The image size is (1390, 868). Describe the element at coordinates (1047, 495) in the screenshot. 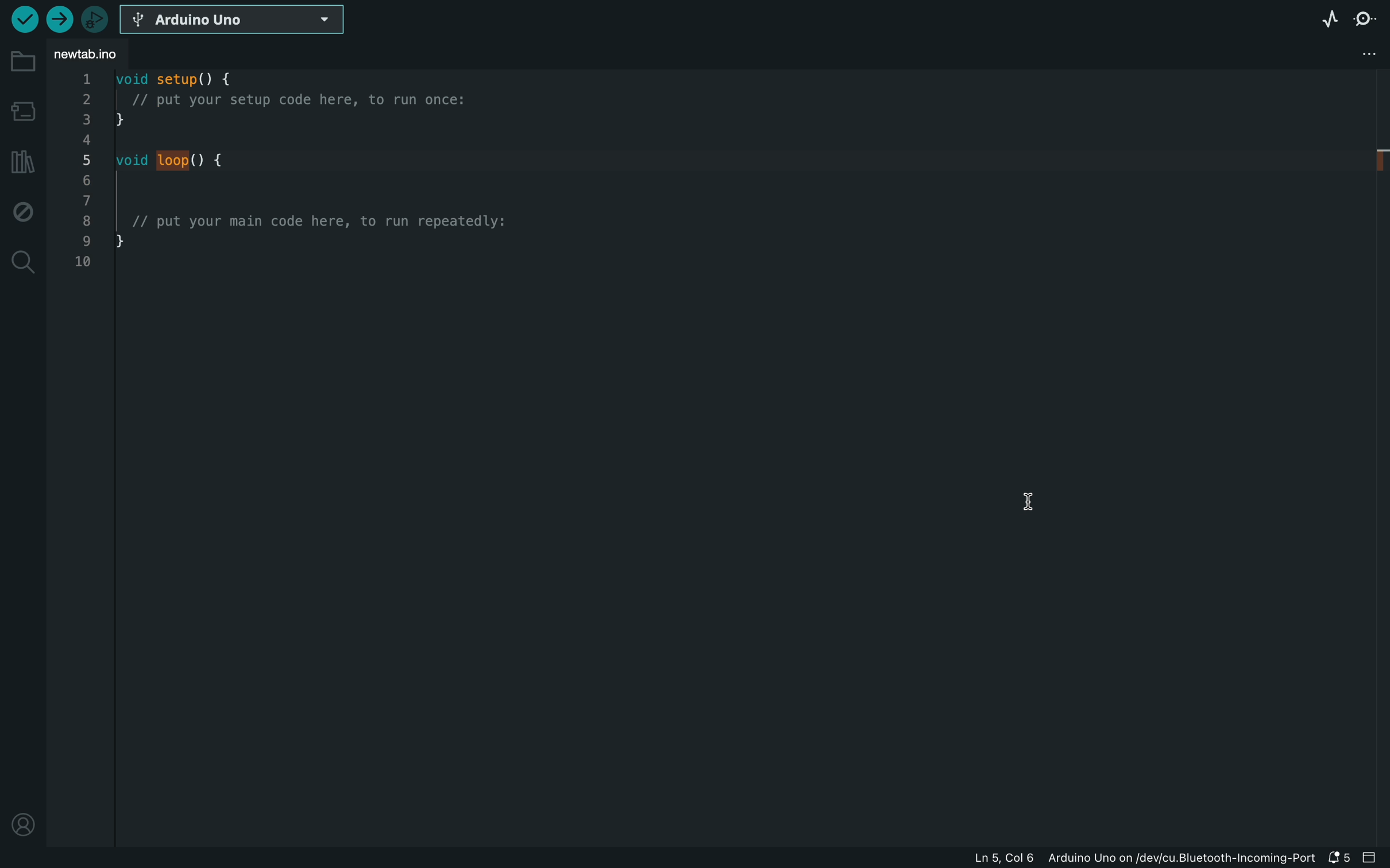

I see `cursor` at that location.